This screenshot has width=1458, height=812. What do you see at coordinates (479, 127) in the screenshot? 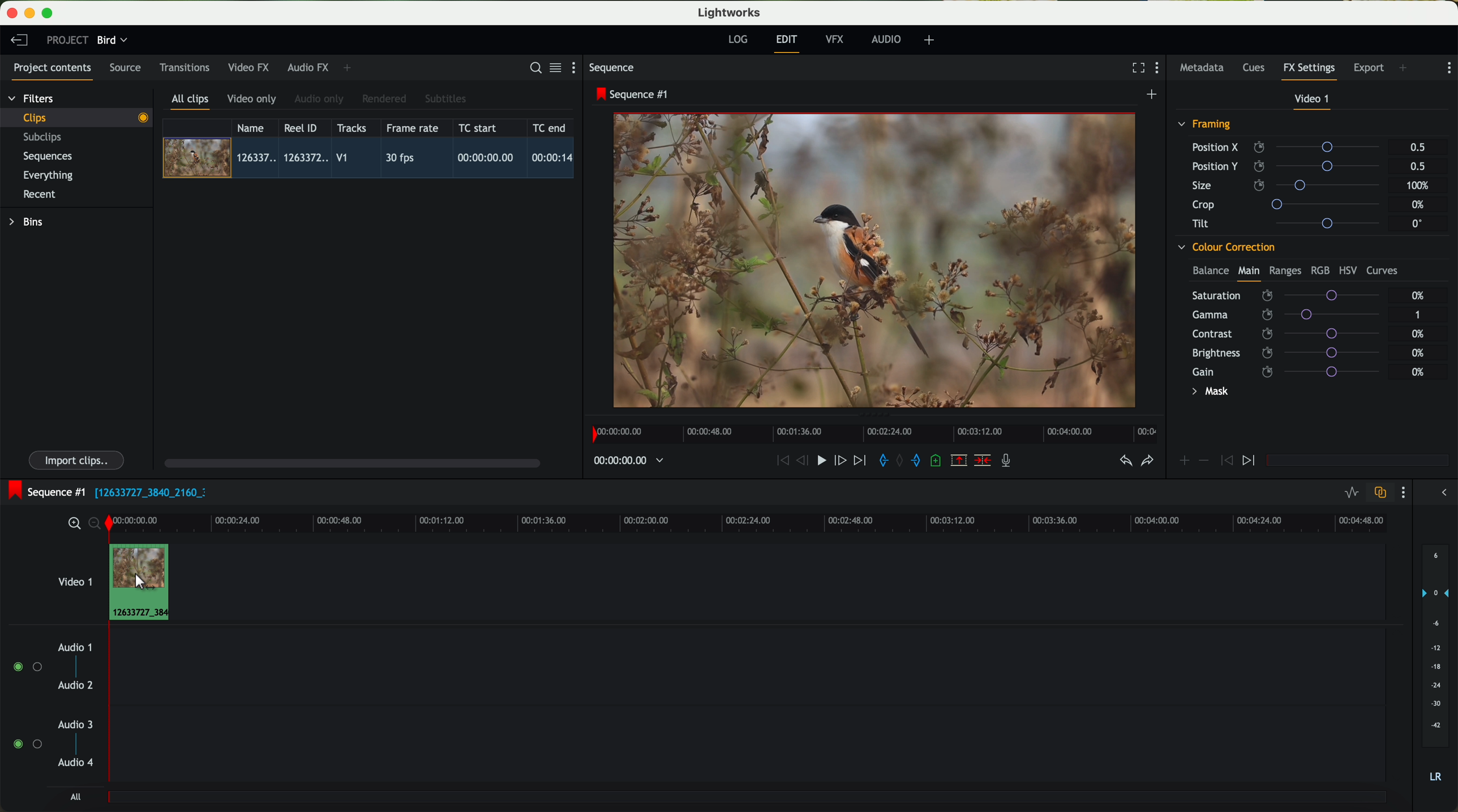
I see `TC start` at bounding box center [479, 127].